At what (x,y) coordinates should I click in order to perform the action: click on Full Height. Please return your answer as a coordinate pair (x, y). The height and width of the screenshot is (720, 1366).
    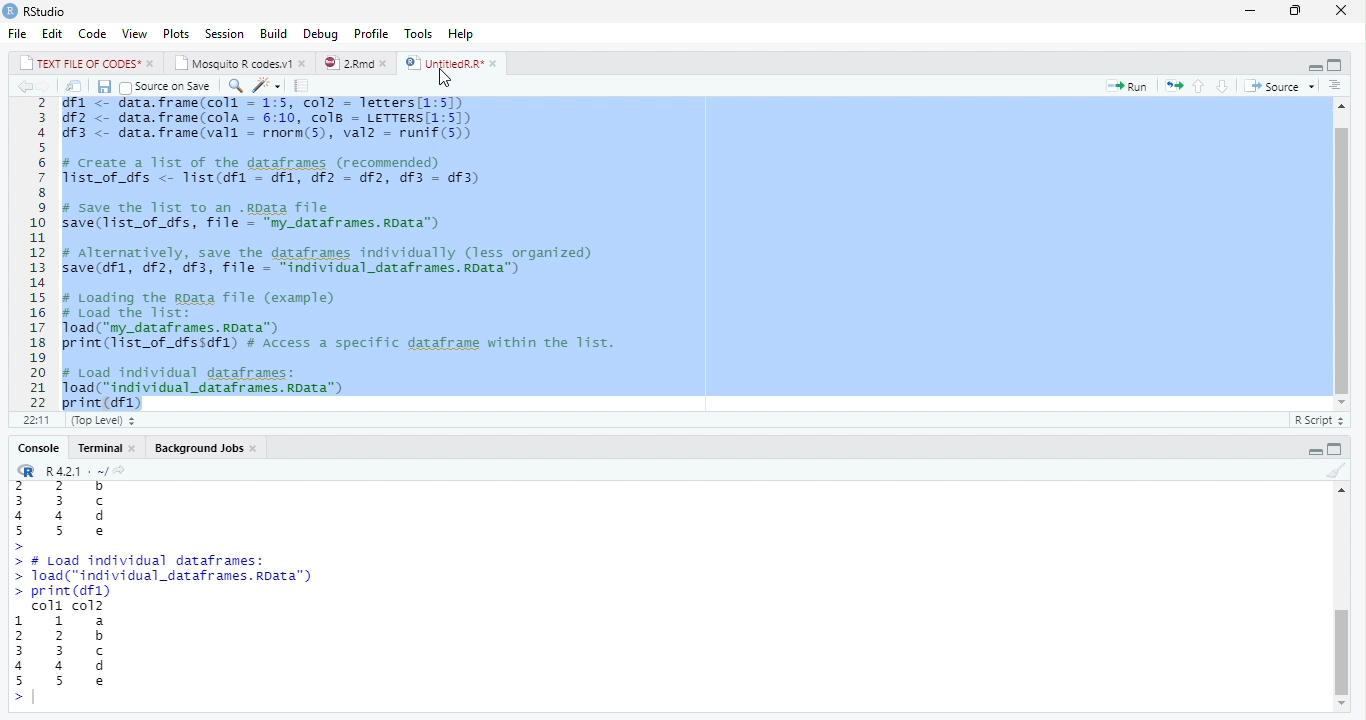
    Looking at the image, I should click on (1337, 449).